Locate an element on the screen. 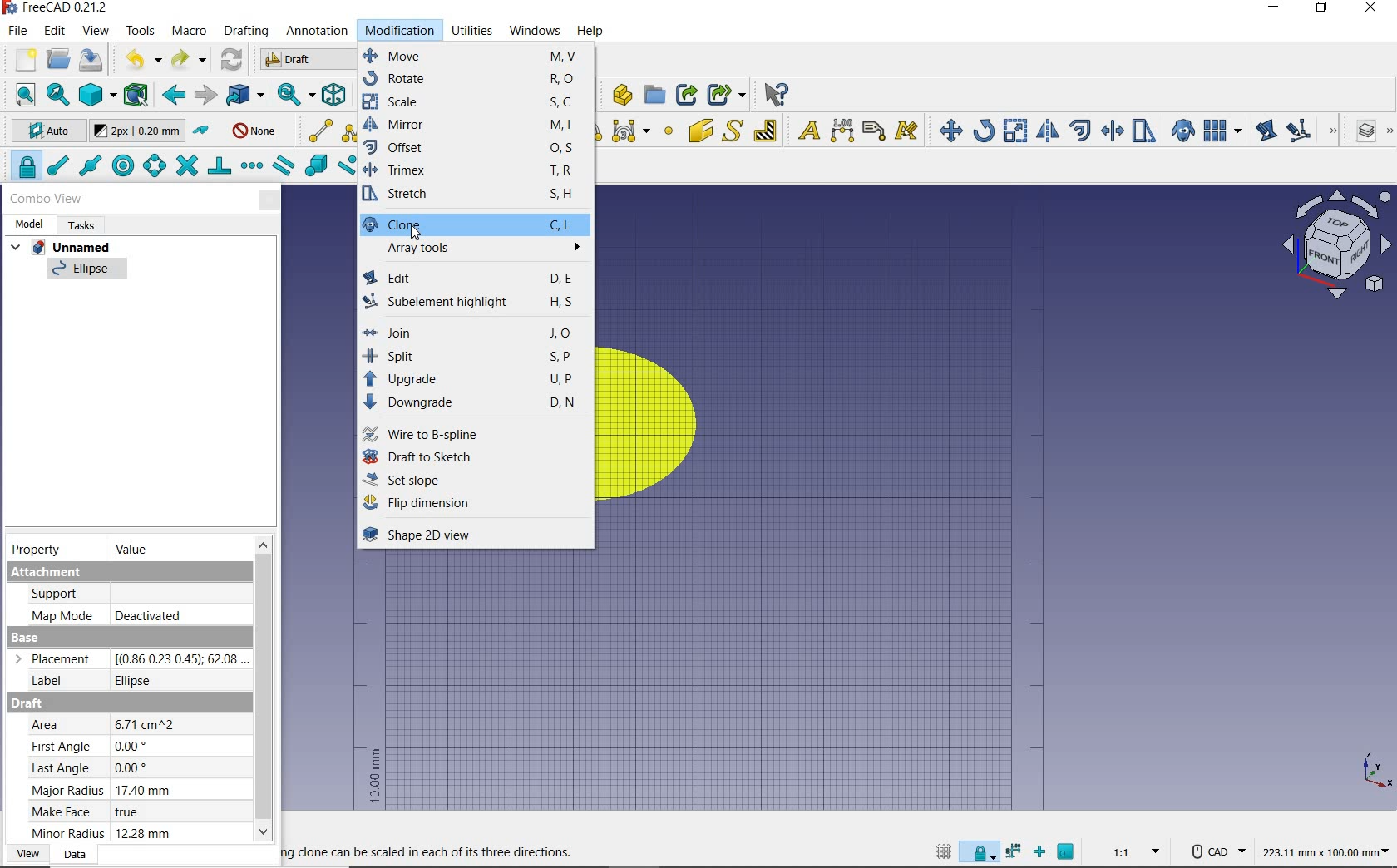 This screenshot has width=1397, height=868. offset is located at coordinates (476, 149).